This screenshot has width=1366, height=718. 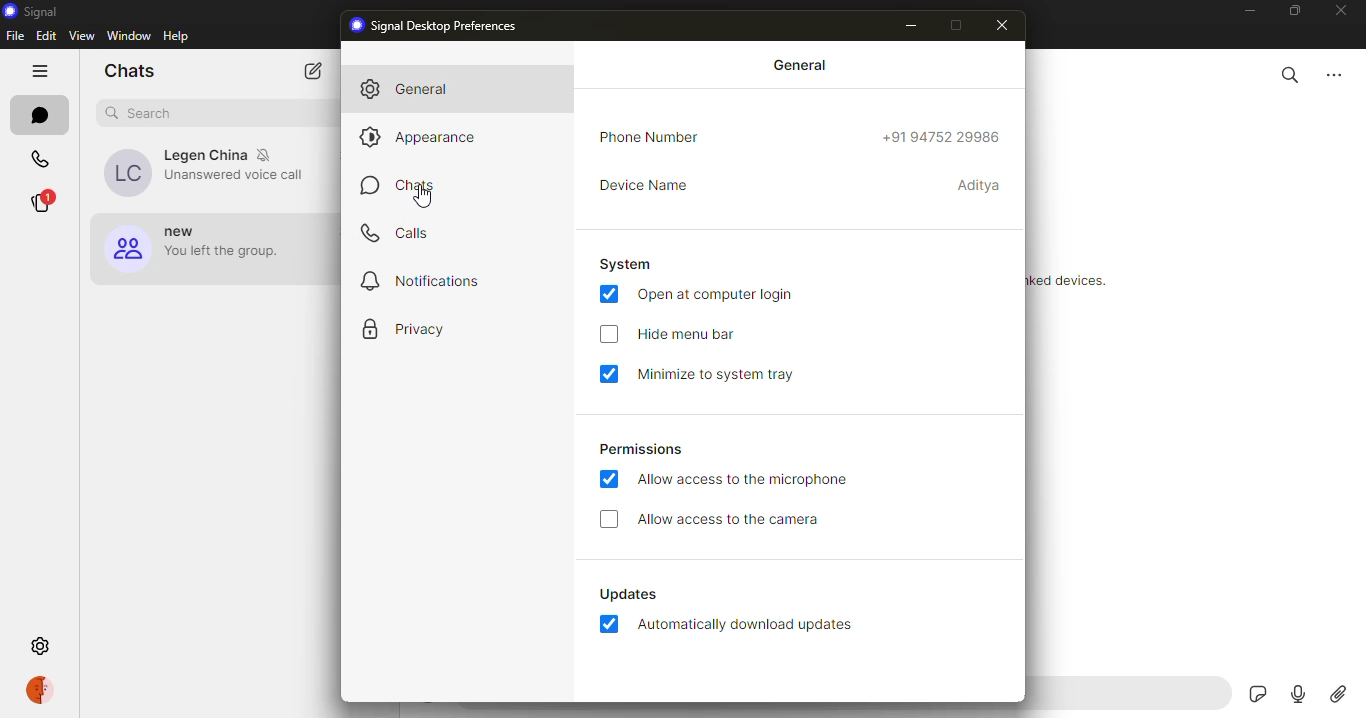 I want to click on download updates, so click(x=759, y=626).